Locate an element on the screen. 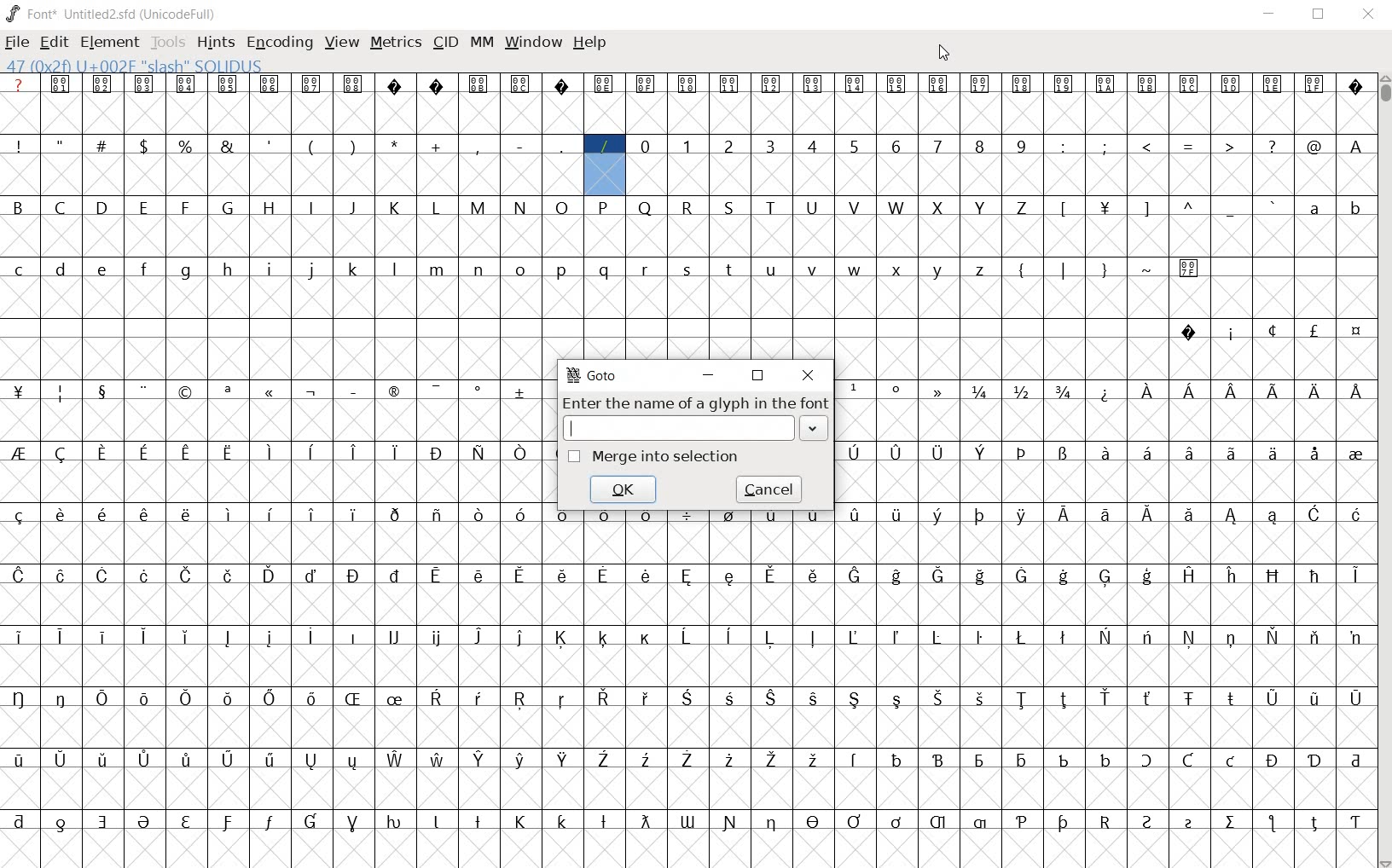 This screenshot has width=1392, height=868. glyph is located at coordinates (103, 514).